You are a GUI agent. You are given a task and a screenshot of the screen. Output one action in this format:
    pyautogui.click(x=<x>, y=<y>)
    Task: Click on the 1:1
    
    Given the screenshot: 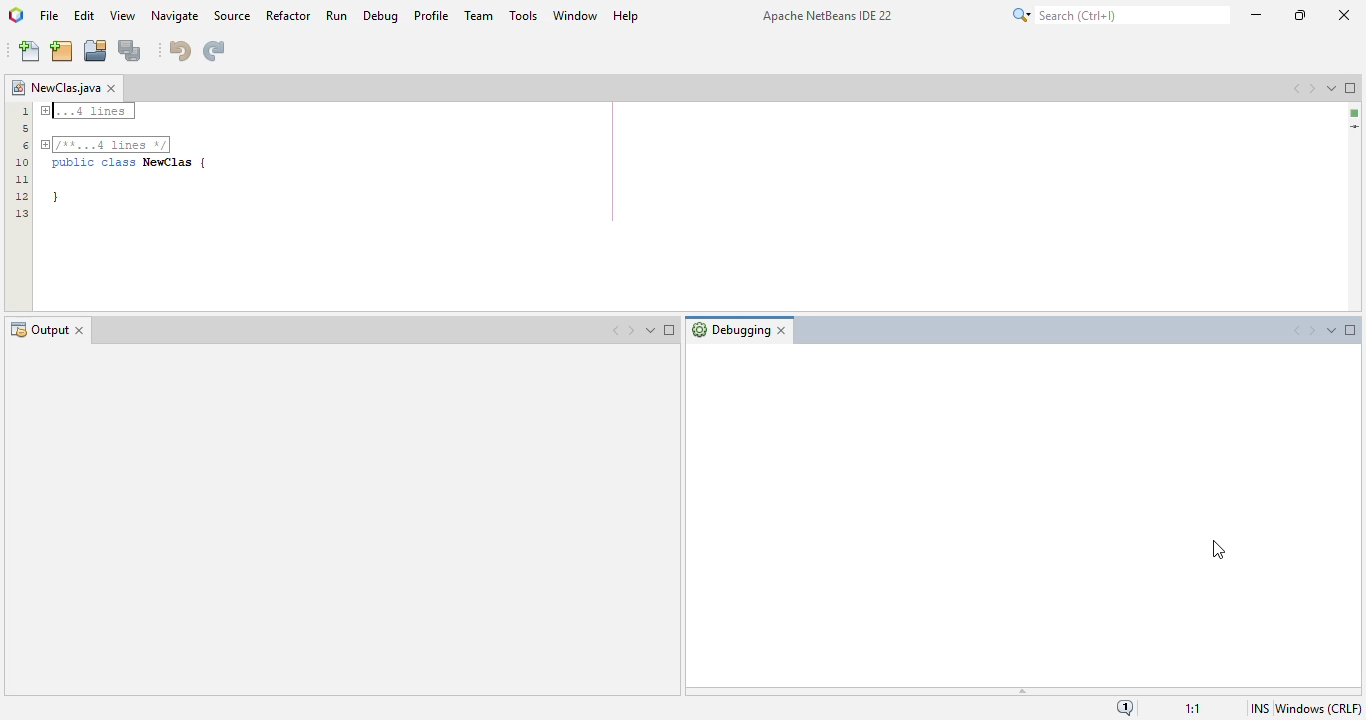 What is the action you would take?
    pyautogui.click(x=1195, y=706)
    